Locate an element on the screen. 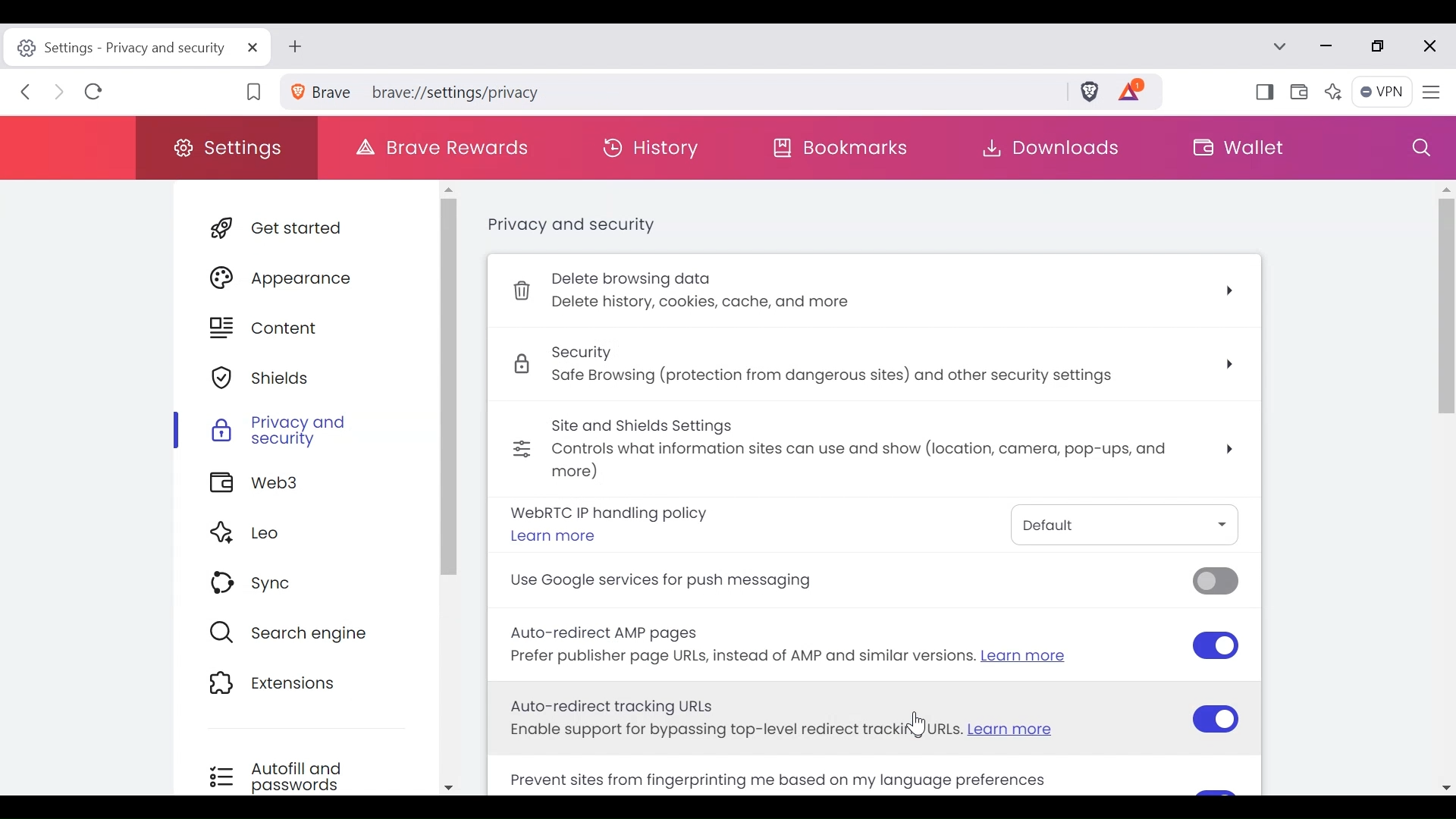  Enable/Disable sites from fingerprinting me based on language preferences is located at coordinates (820, 779).